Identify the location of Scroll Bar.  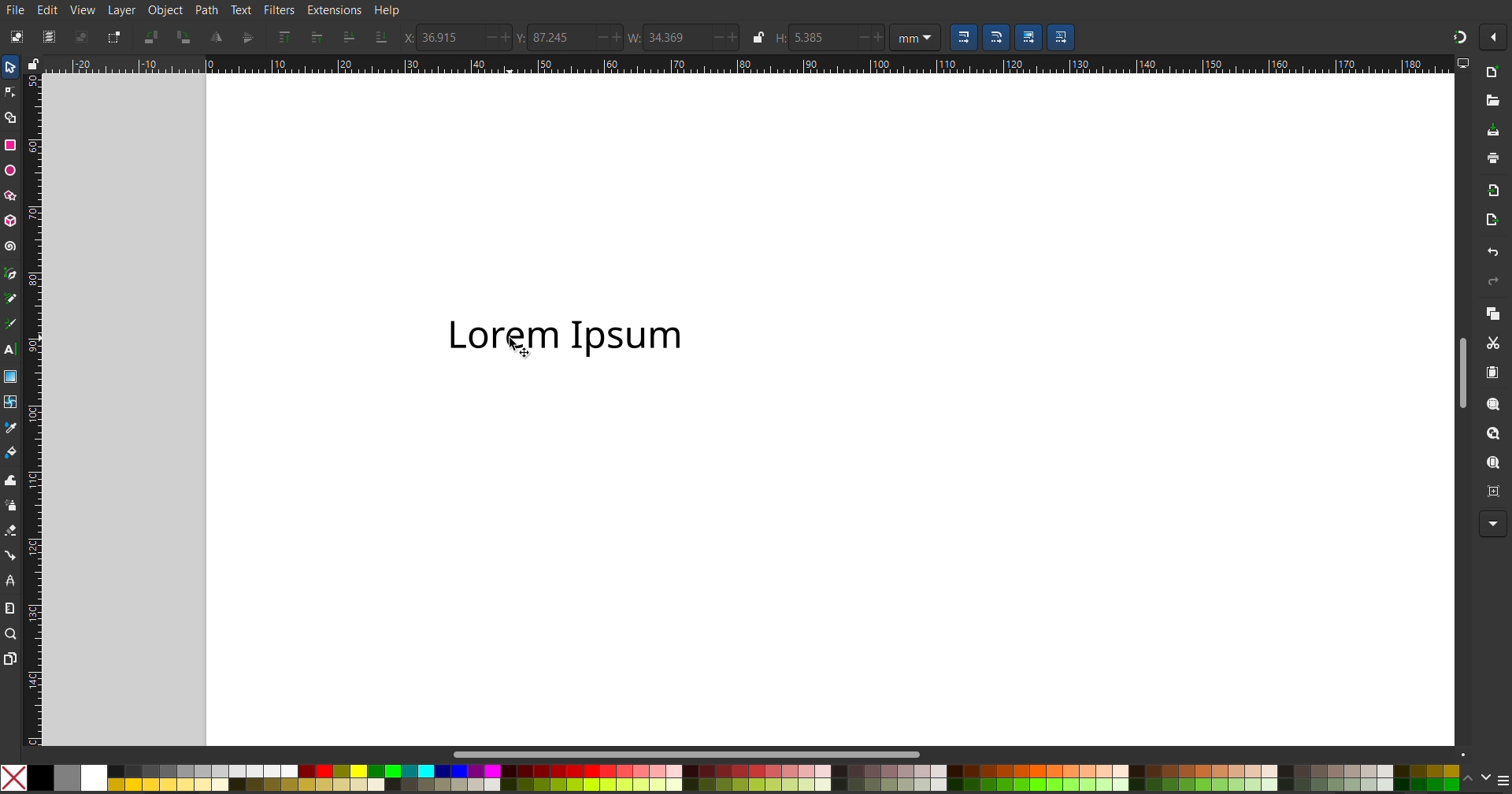
(1459, 371).